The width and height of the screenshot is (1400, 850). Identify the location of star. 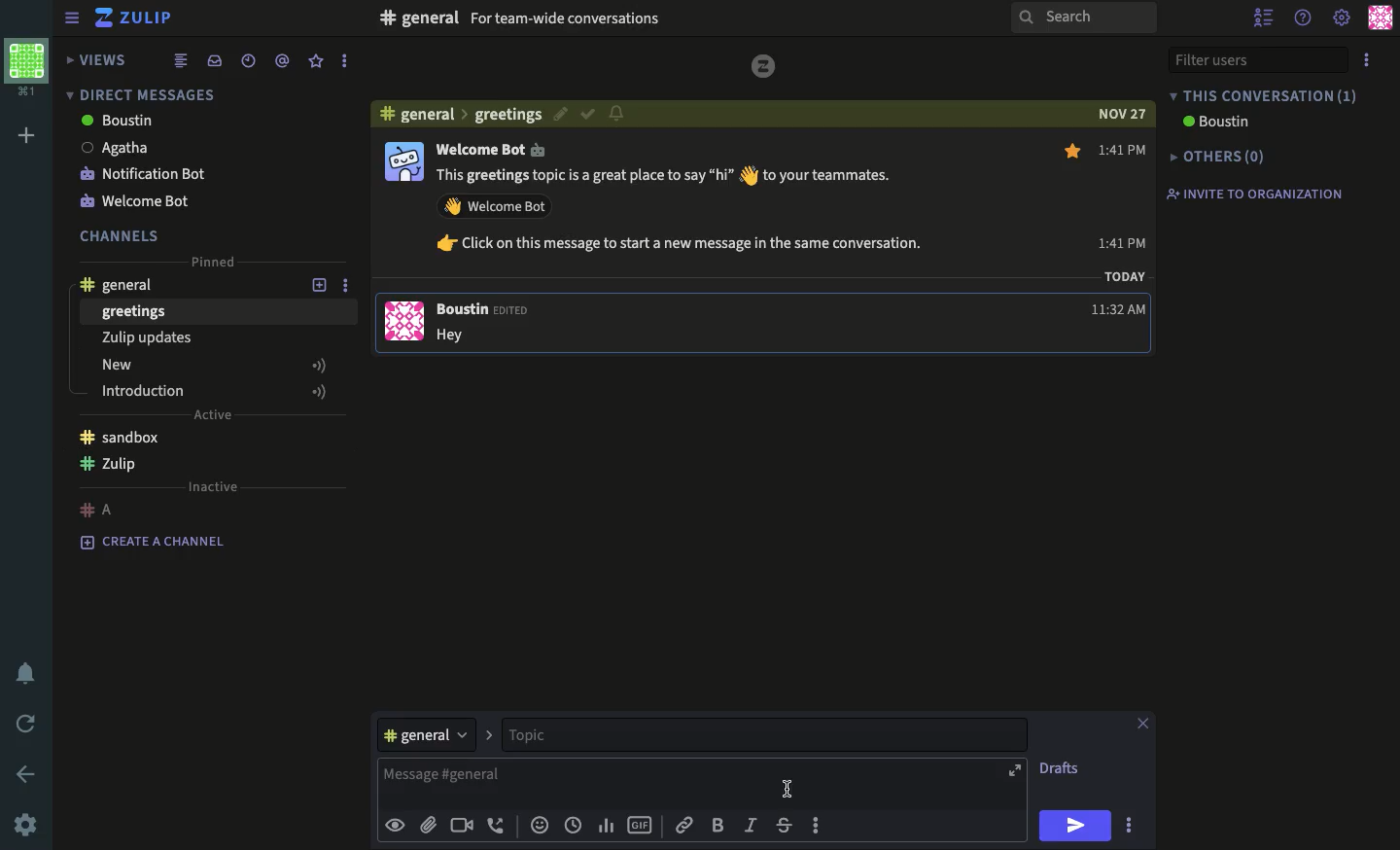
(1071, 150).